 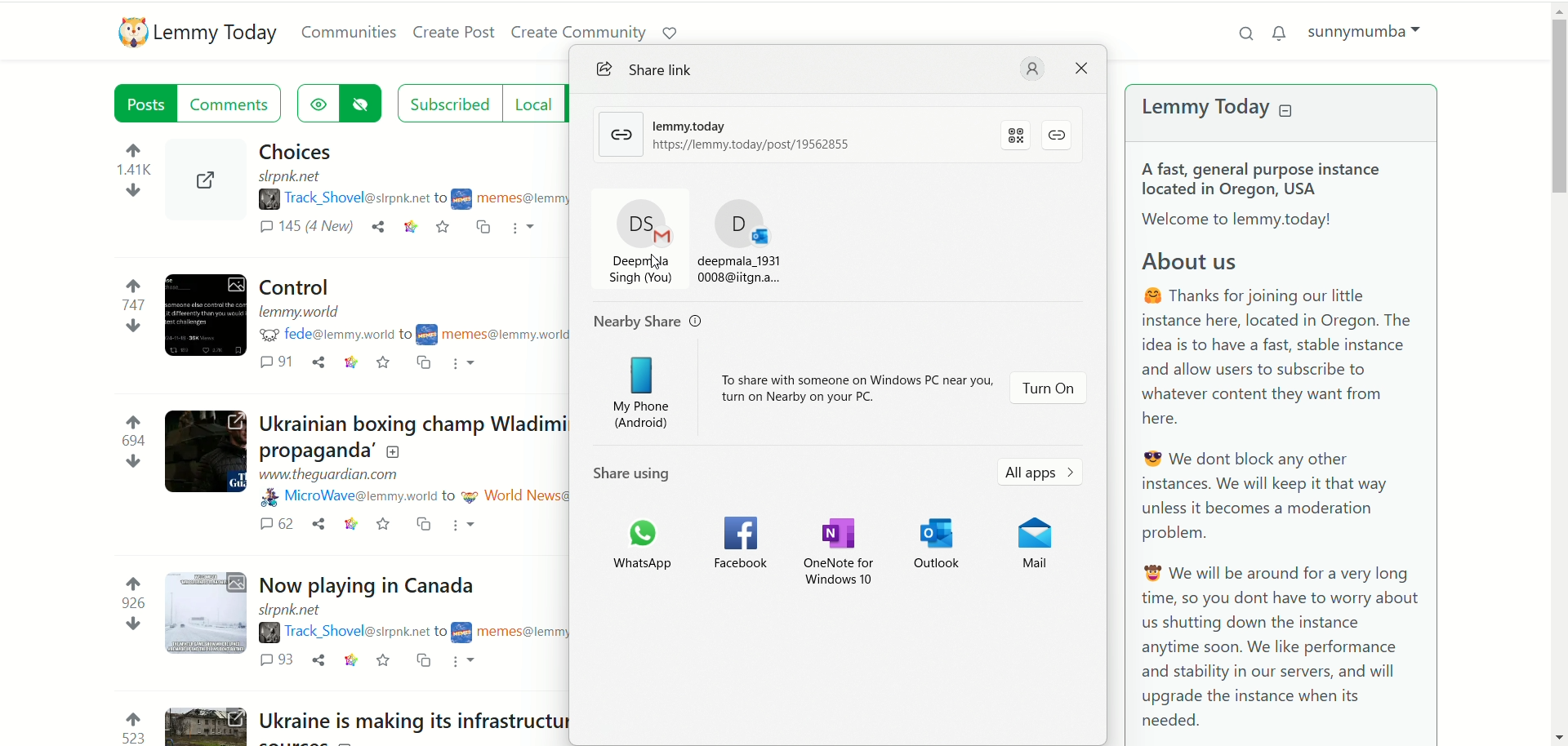 I want to click on link, so click(x=348, y=362).